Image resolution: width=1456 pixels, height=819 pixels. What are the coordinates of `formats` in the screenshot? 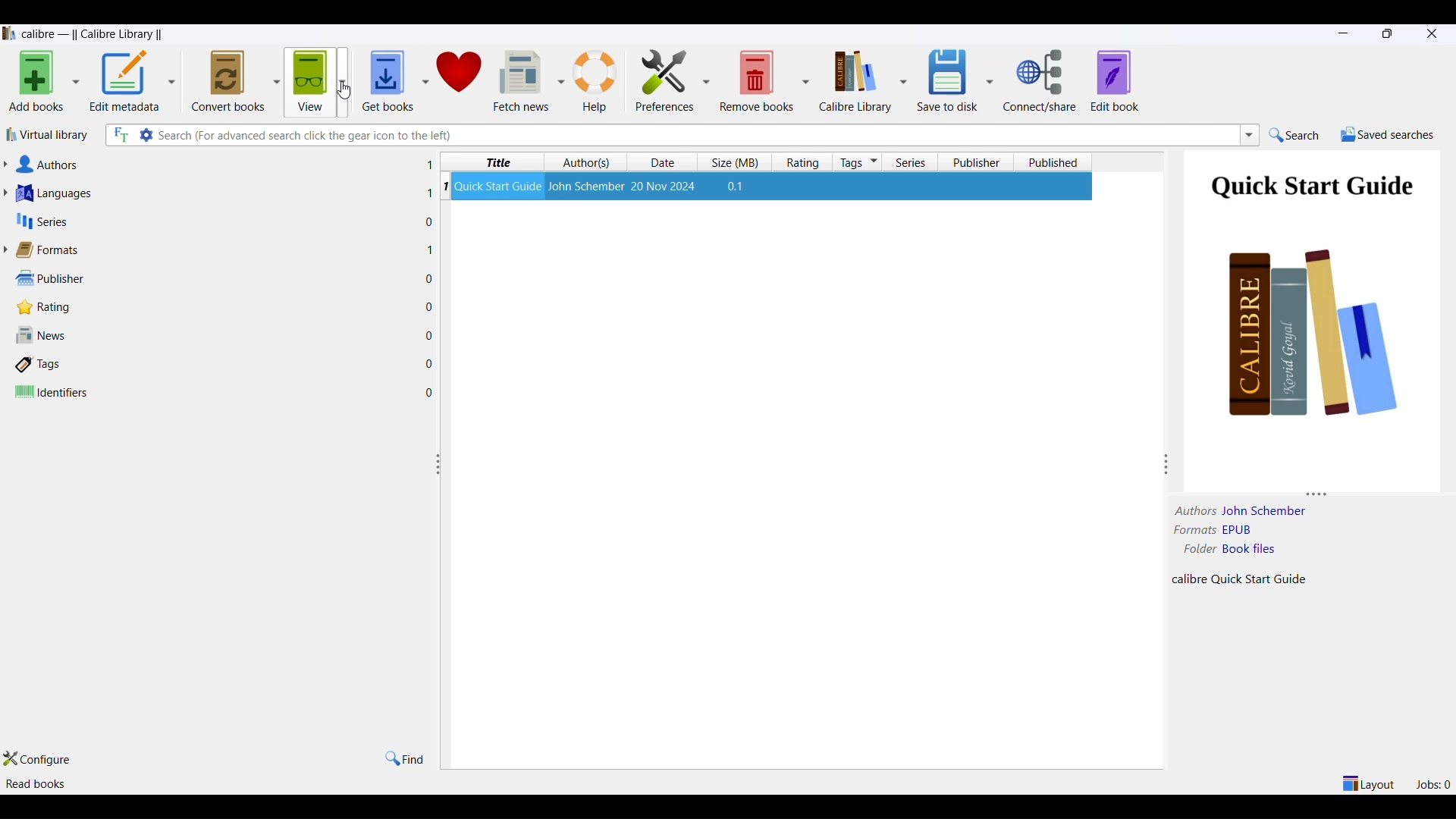 It's located at (1194, 531).